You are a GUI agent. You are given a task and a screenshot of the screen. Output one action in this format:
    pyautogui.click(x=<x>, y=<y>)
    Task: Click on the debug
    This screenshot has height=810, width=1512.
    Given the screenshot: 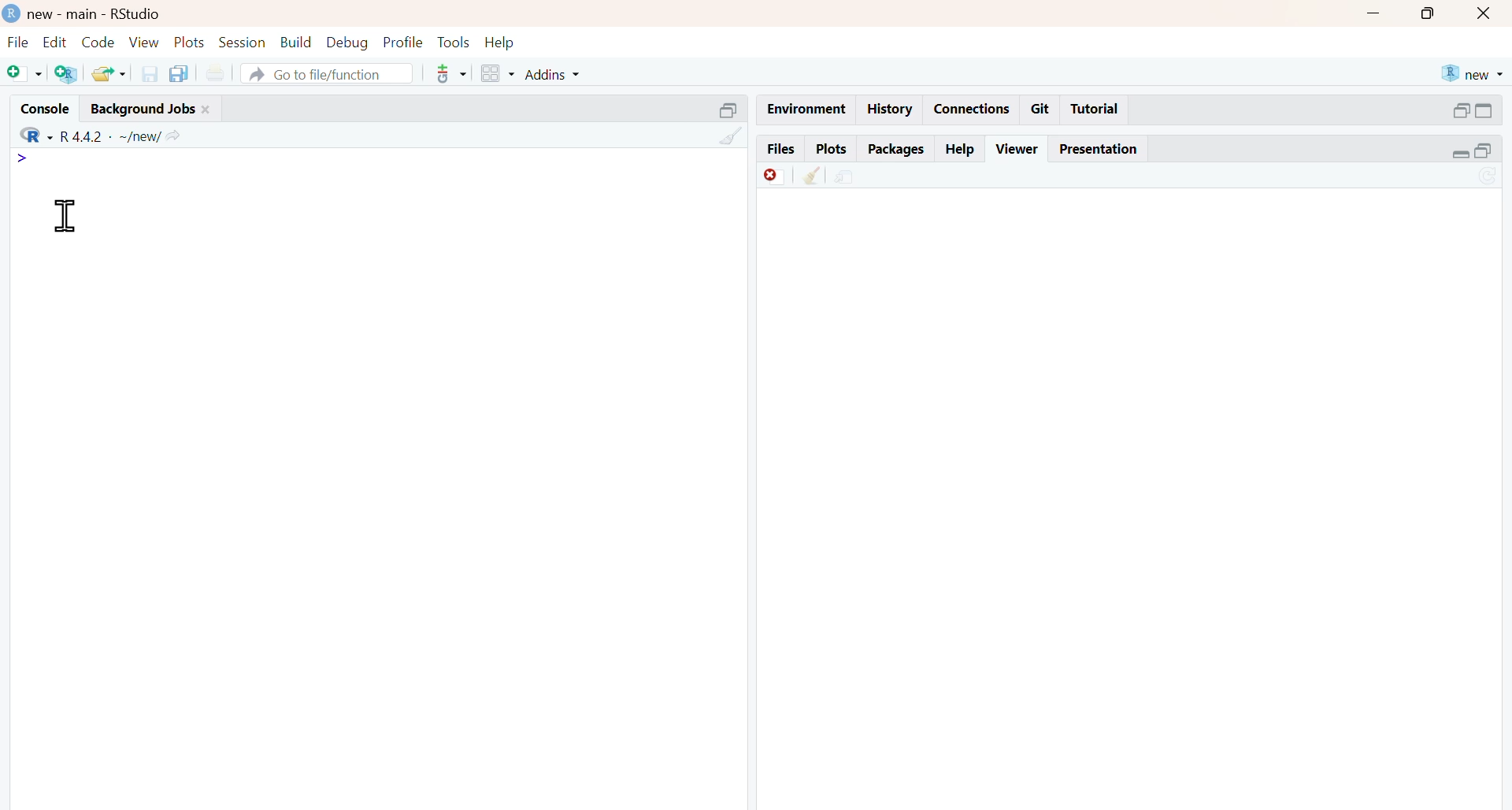 What is the action you would take?
    pyautogui.click(x=347, y=43)
    